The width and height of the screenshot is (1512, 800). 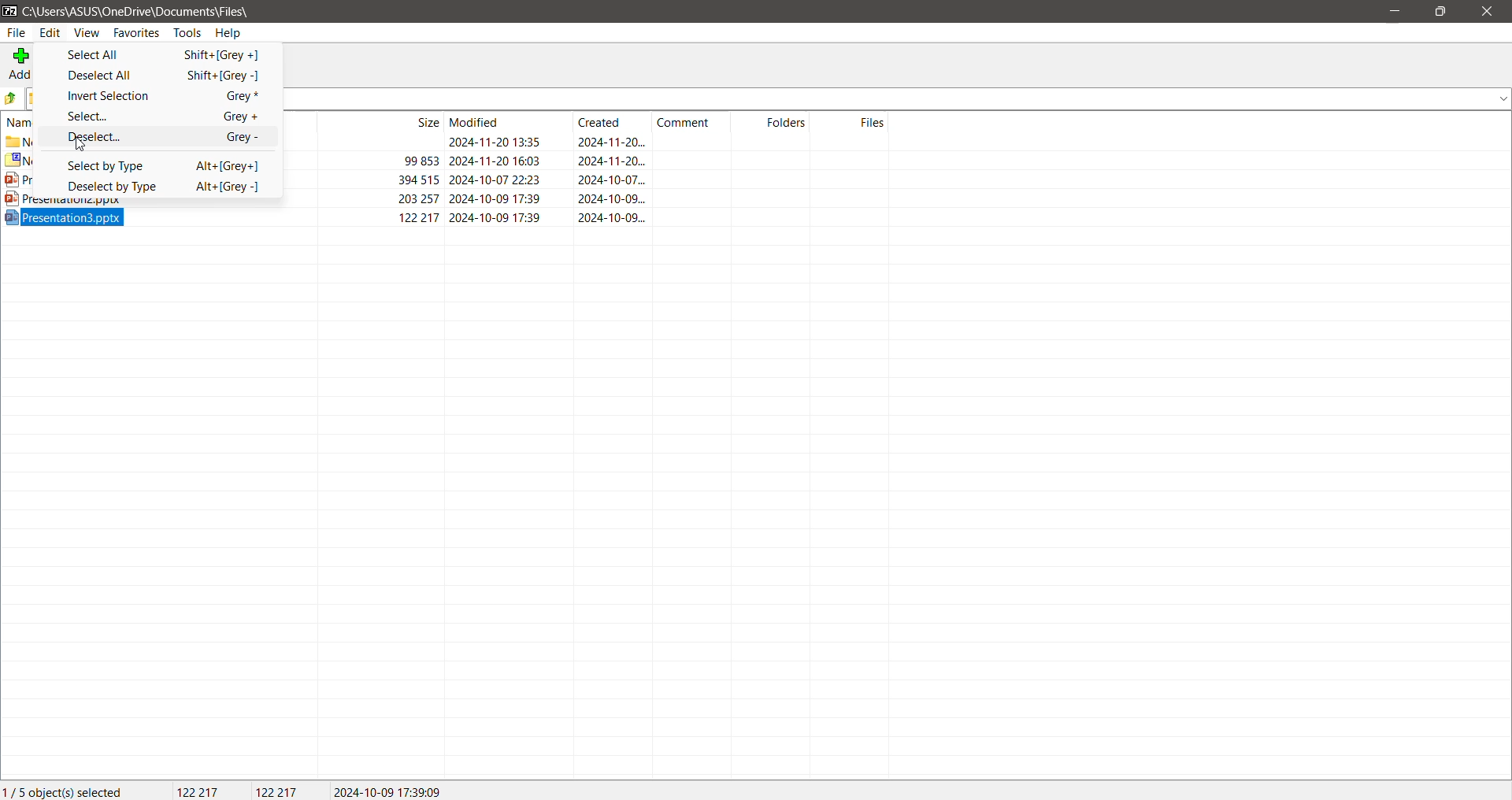 I want to click on Select by Type, so click(x=113, y=165).